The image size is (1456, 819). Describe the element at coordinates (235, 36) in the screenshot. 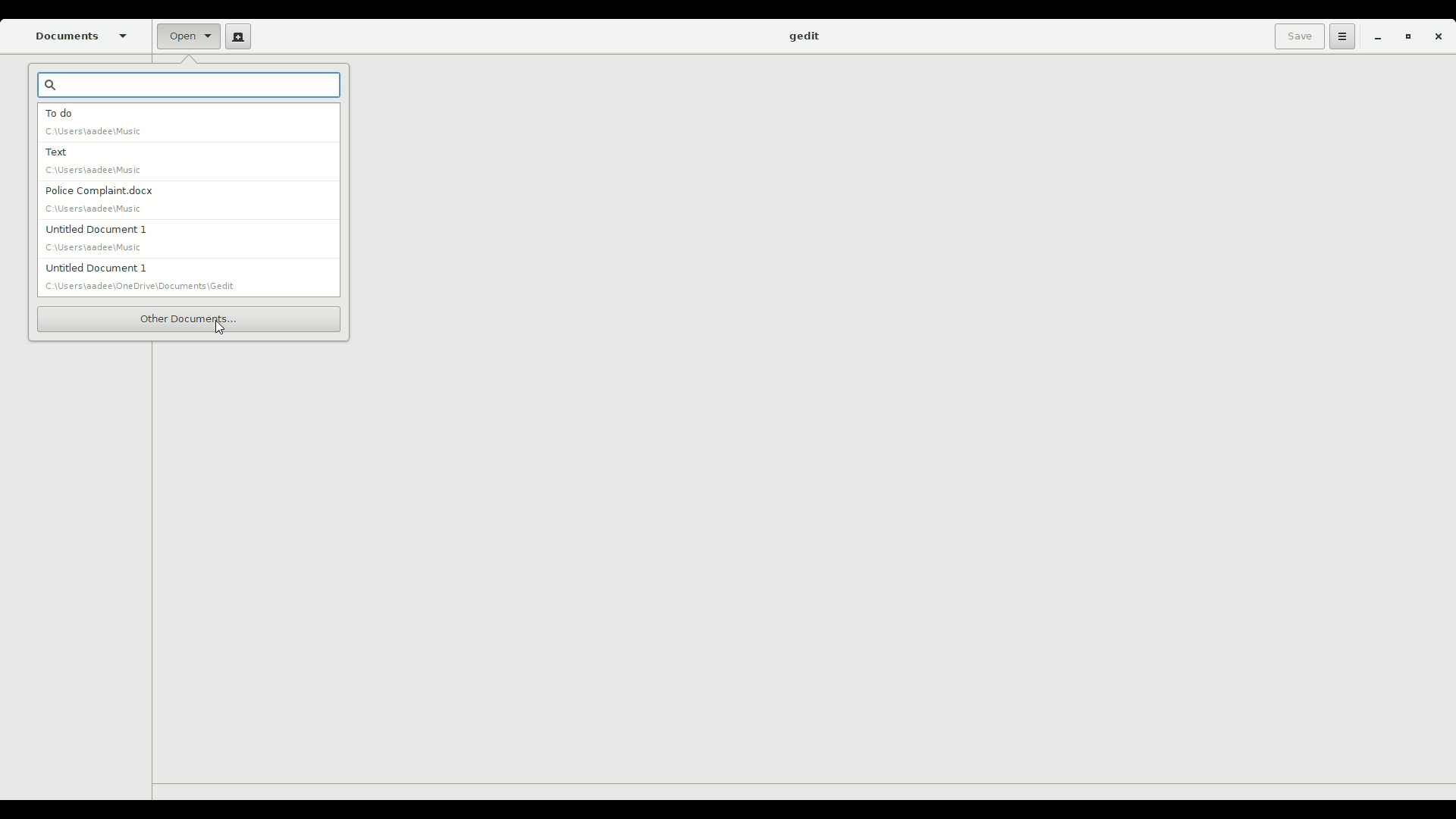

I see `New` at that location.